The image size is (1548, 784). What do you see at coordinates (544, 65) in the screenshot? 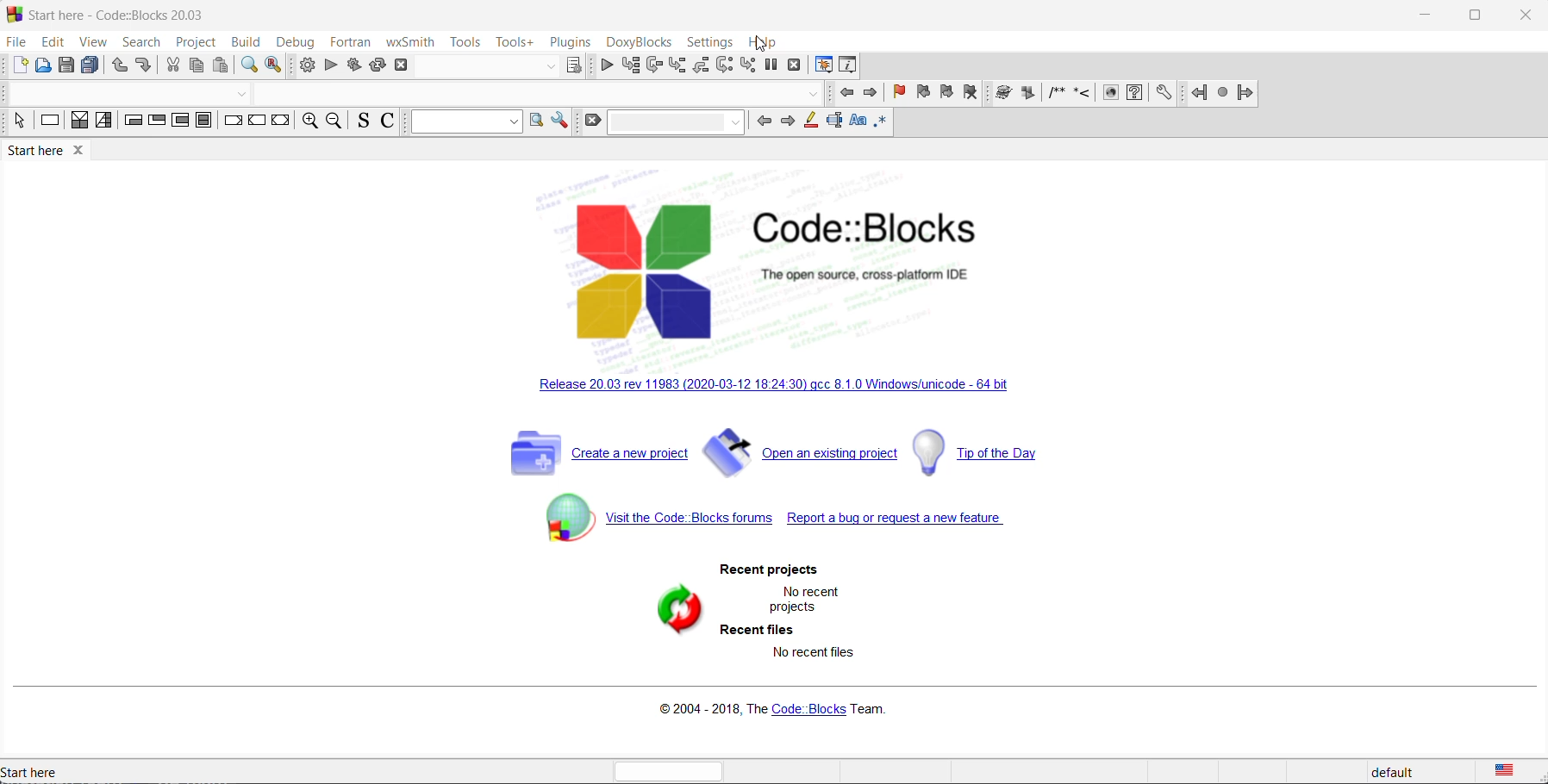
I see `dropdown ` at bounding box center [544, 65].